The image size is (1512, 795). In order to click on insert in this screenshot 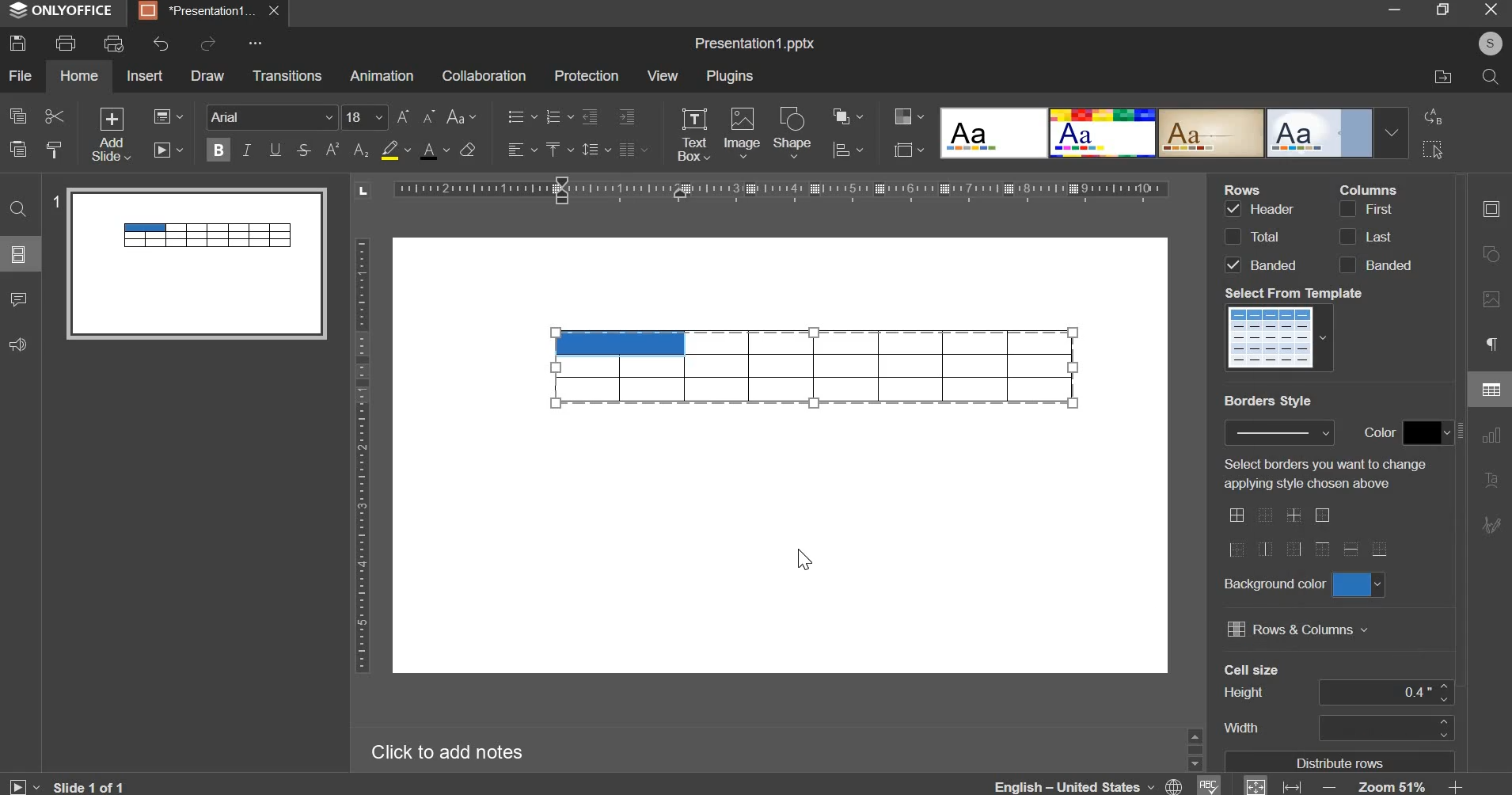, I will do `click(145, 74)`.